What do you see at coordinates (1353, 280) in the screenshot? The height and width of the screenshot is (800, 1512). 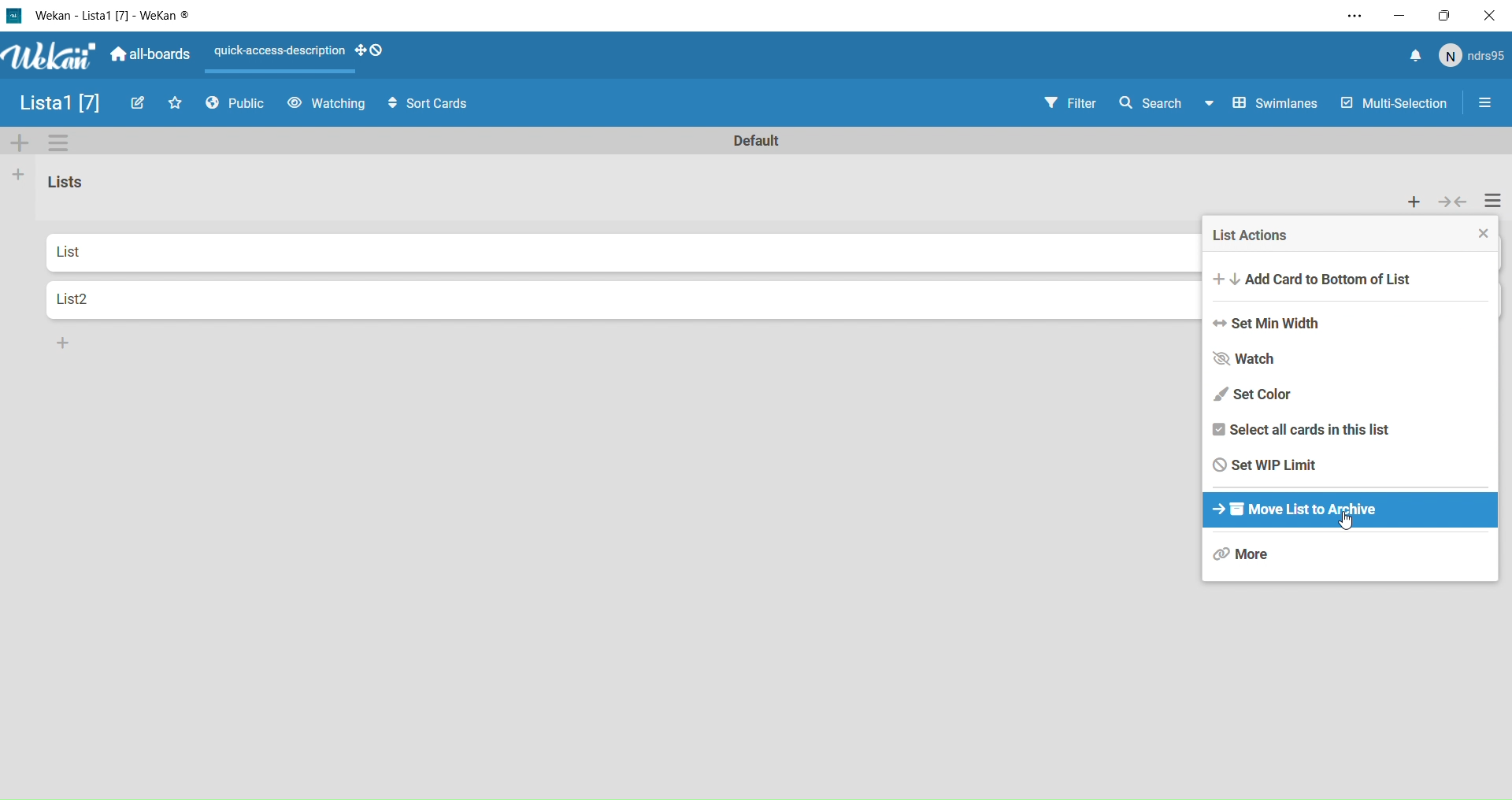 I see `Add card to bottom of list` at bounding box center [1353, 280].